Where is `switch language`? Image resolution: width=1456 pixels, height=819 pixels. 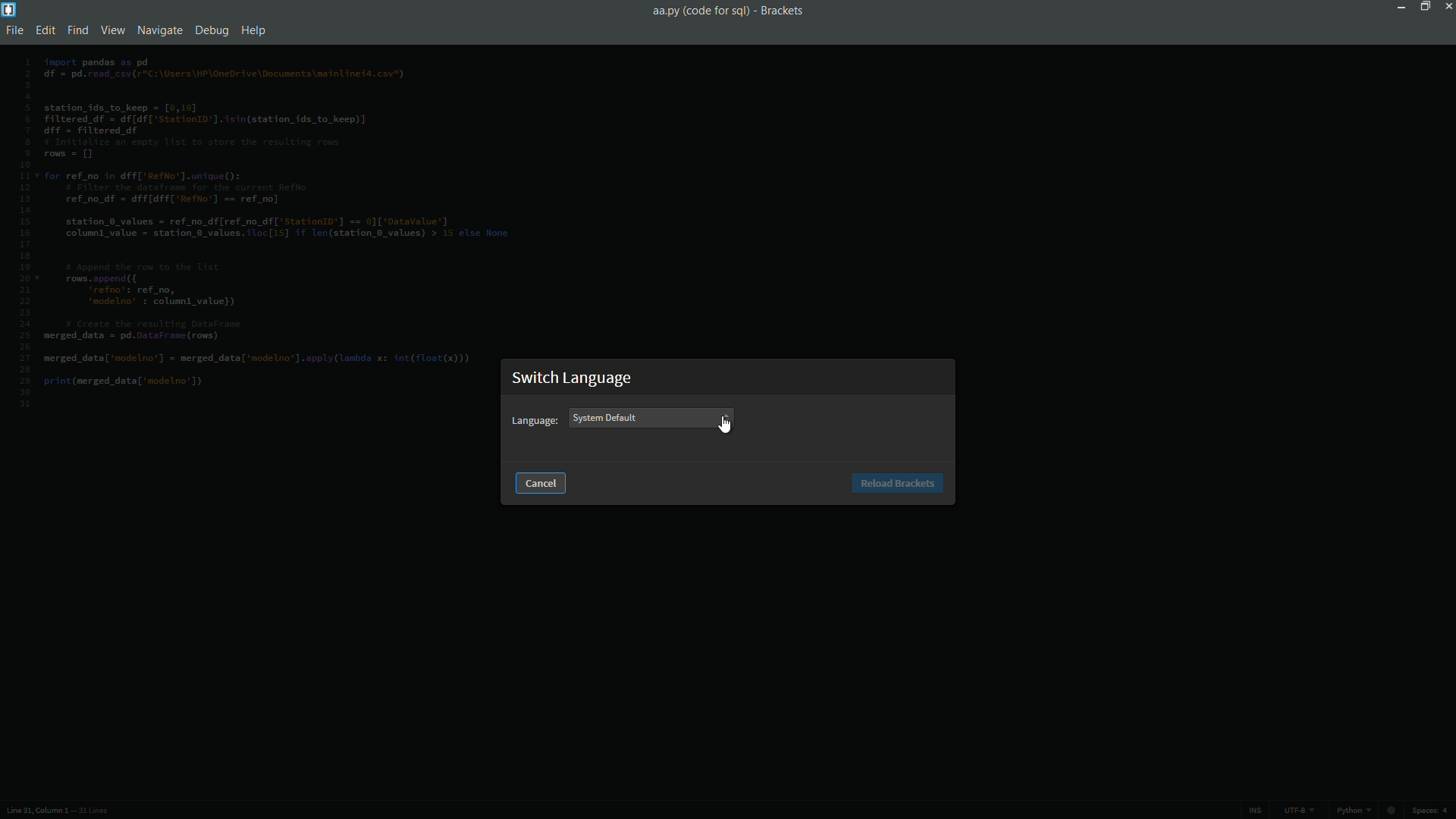
switch language is located at coordinates (574, 378).